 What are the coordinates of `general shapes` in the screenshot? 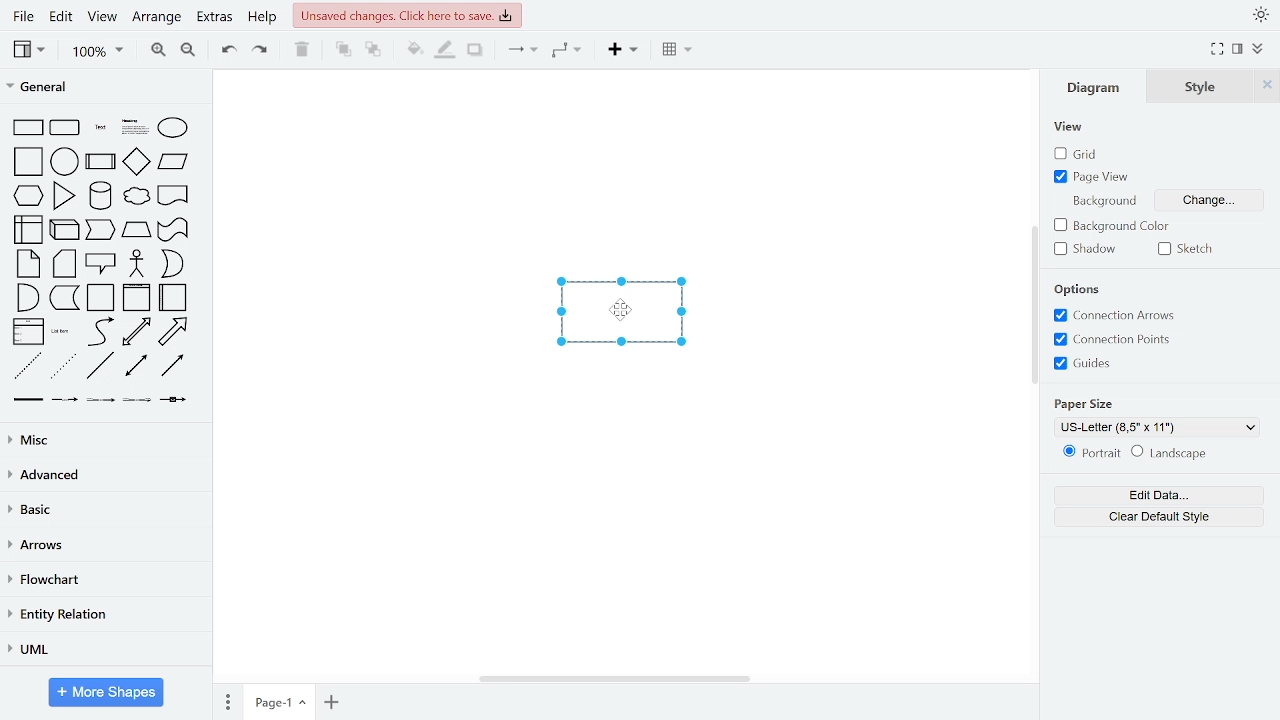 It's located at (173, 400).